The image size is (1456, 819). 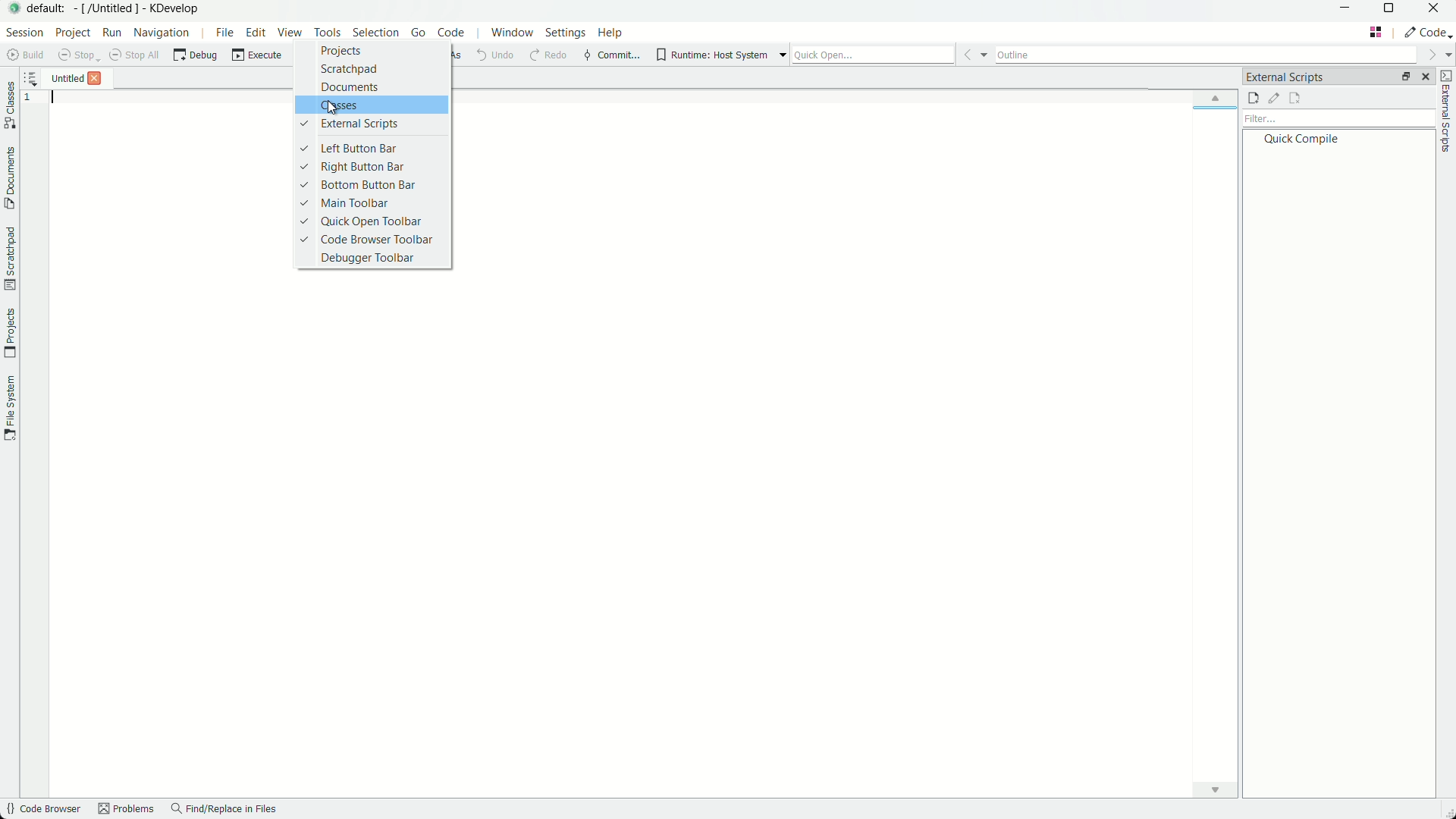 I want to click on quick open toolbar, so click(x=375, y=221).